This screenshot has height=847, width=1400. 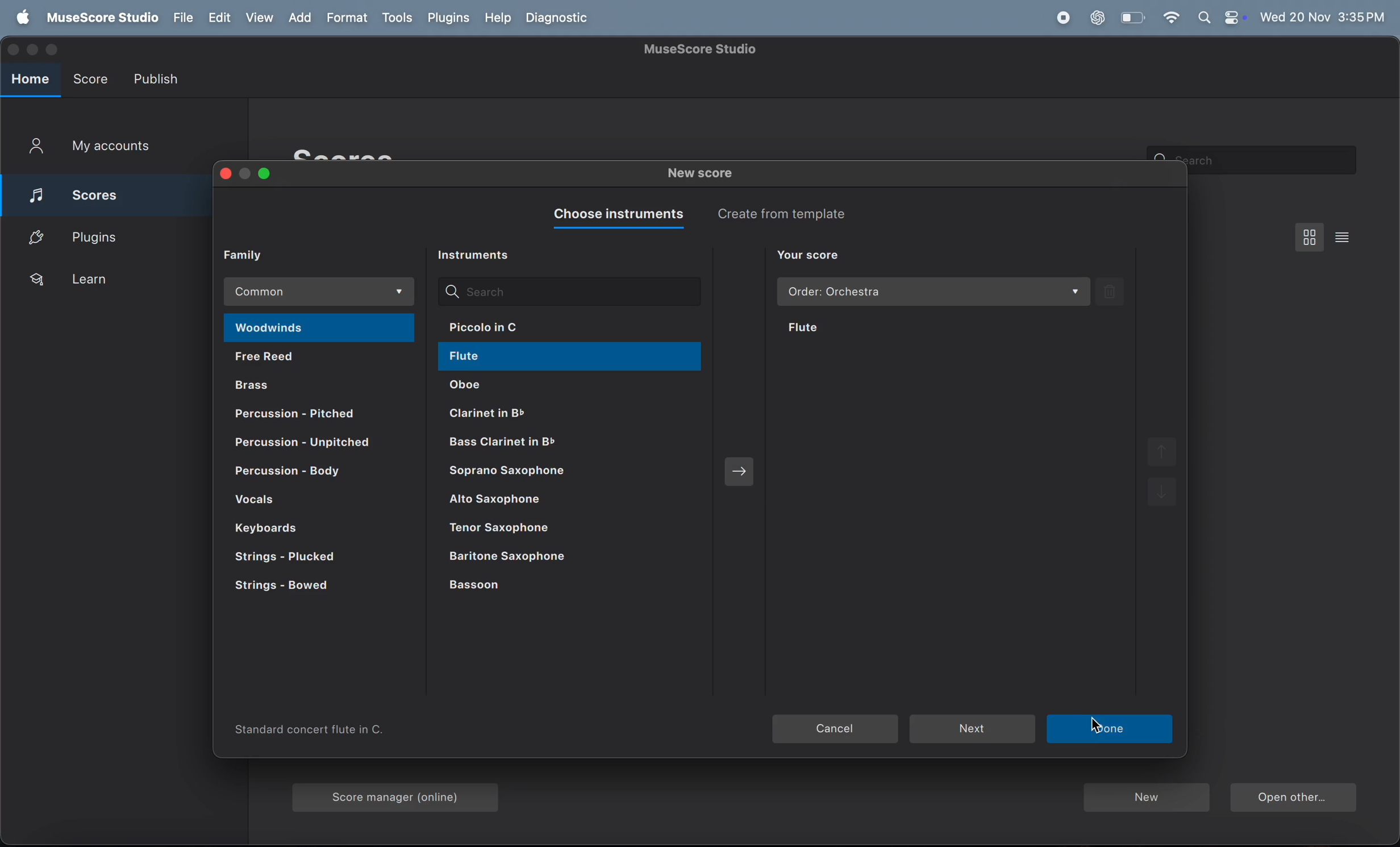 What do you see at coordinates (159, 78) in the screenshot?
I see `publish` at bounding box center [159, 78].